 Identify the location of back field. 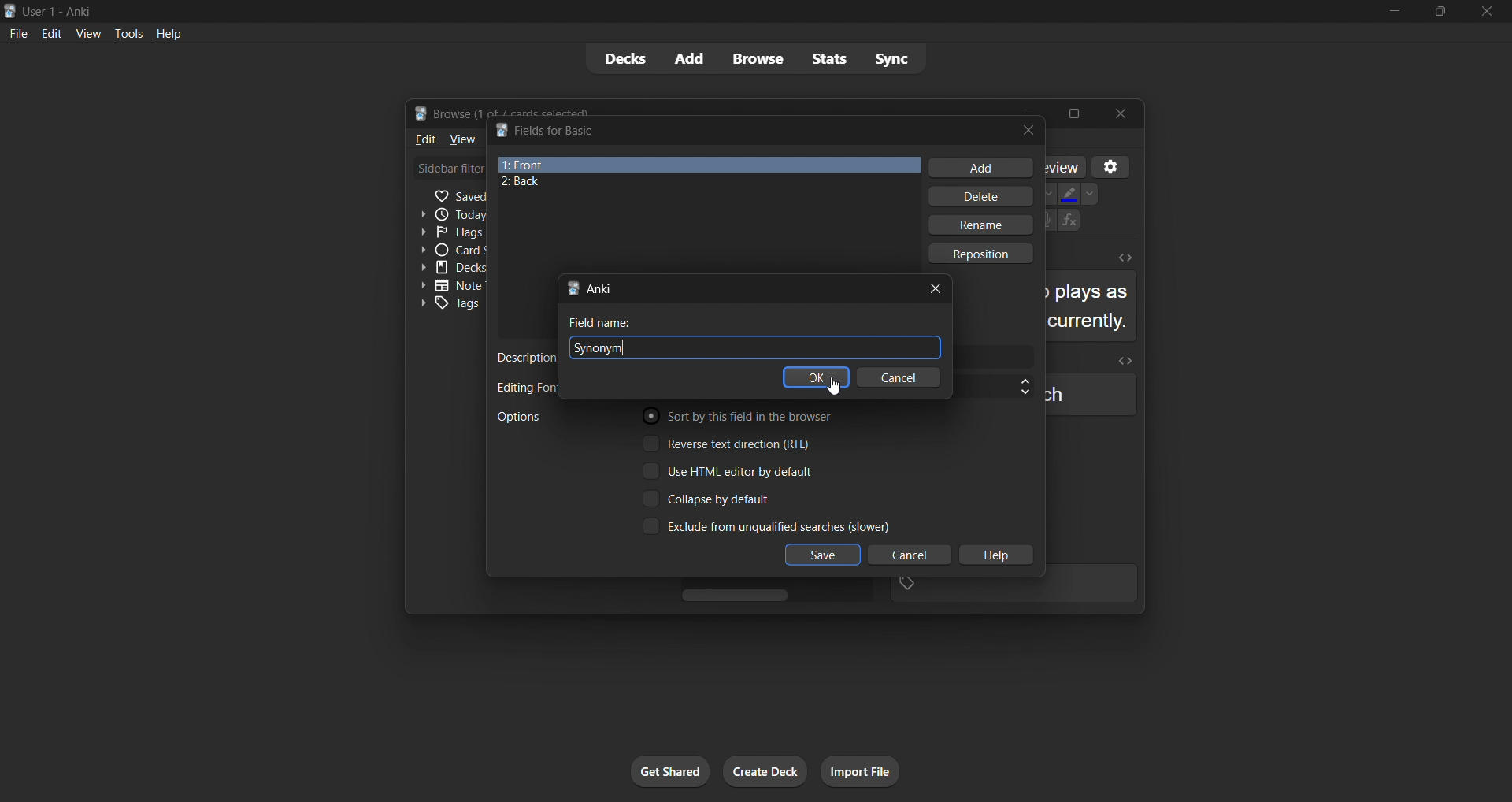
(699, 184).